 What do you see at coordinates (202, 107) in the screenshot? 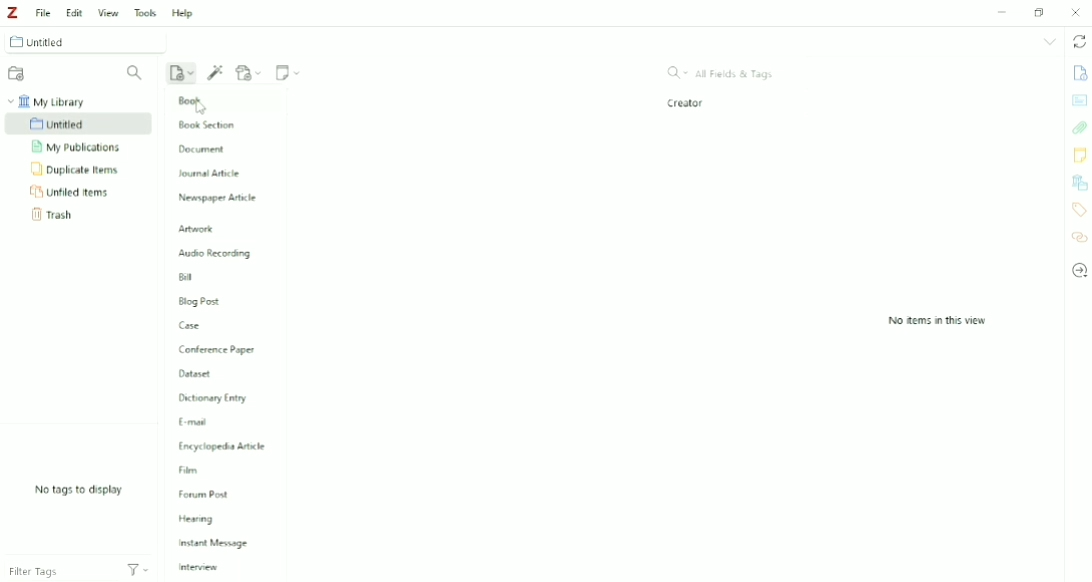
I see `cursor on Book` at bounding box center [202, 107].